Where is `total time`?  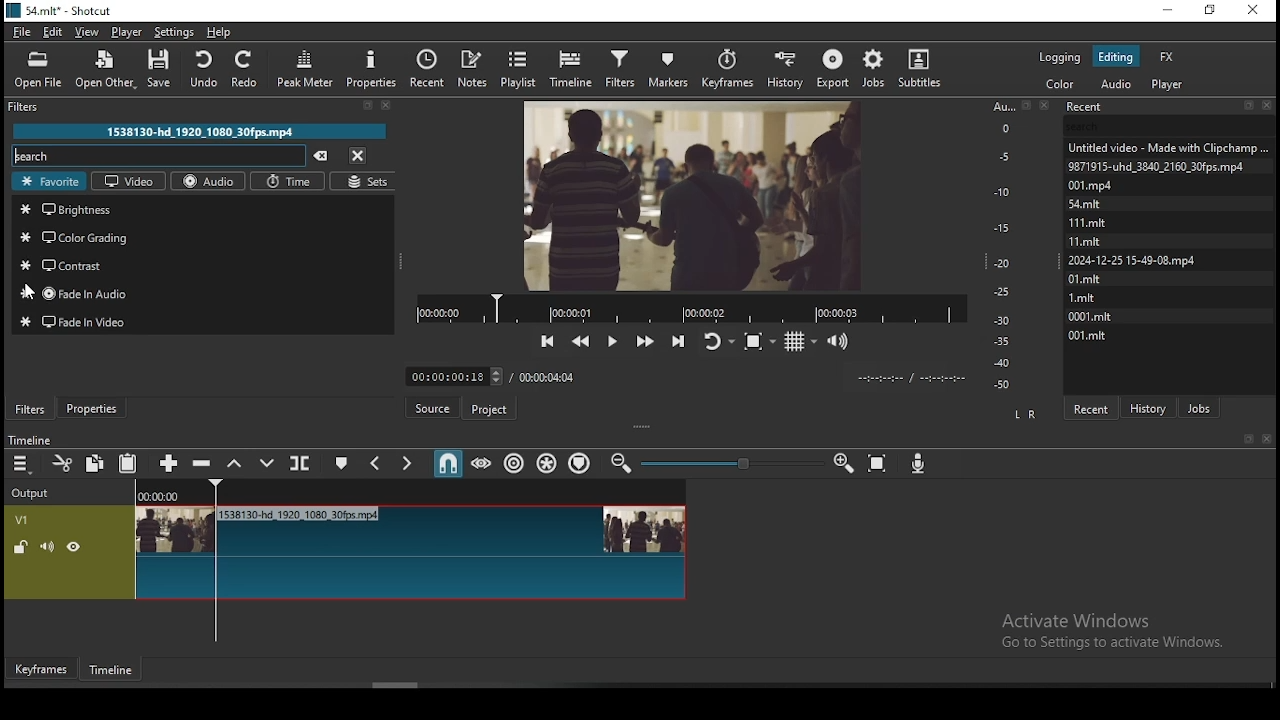
total time is located at coordinates (548, 376).